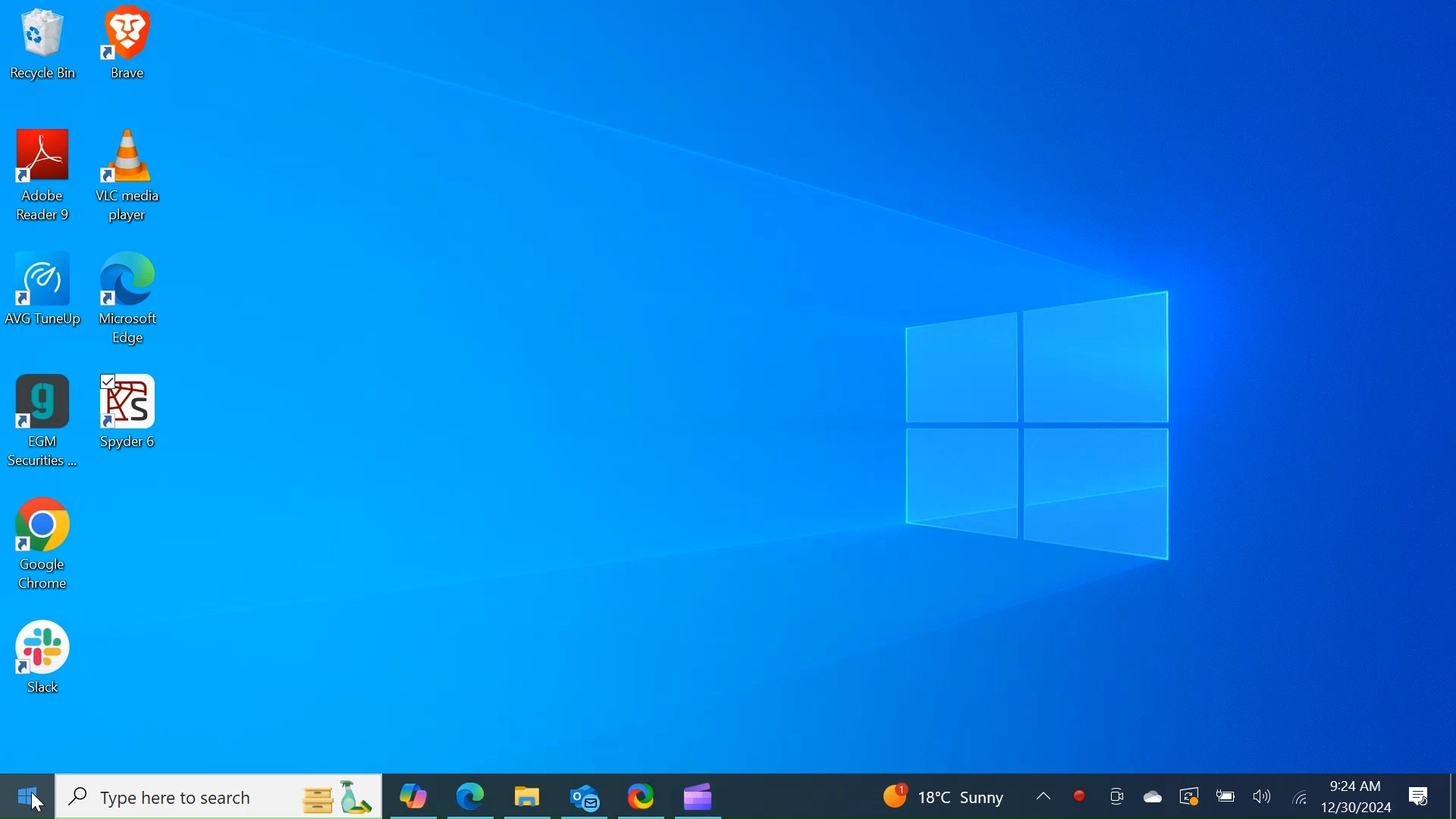 Image resolution: width=1456 pixels, height=819 pixels. What do you see at coordinates (1261, 795) in the screenshot?
I see `Speaker` at bounding box center [1261, 795].